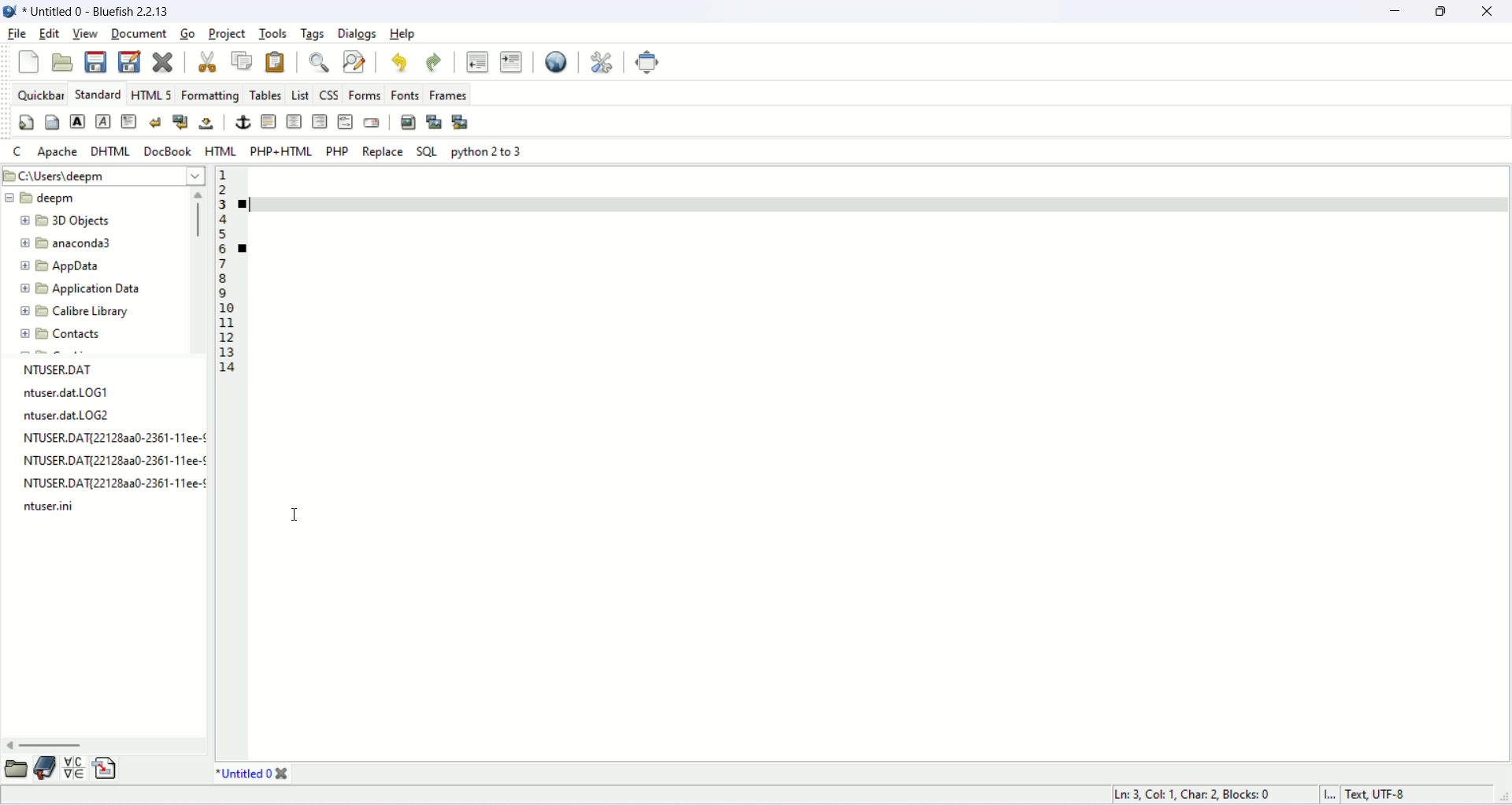  I want to click on find bar, so click(319, 64).